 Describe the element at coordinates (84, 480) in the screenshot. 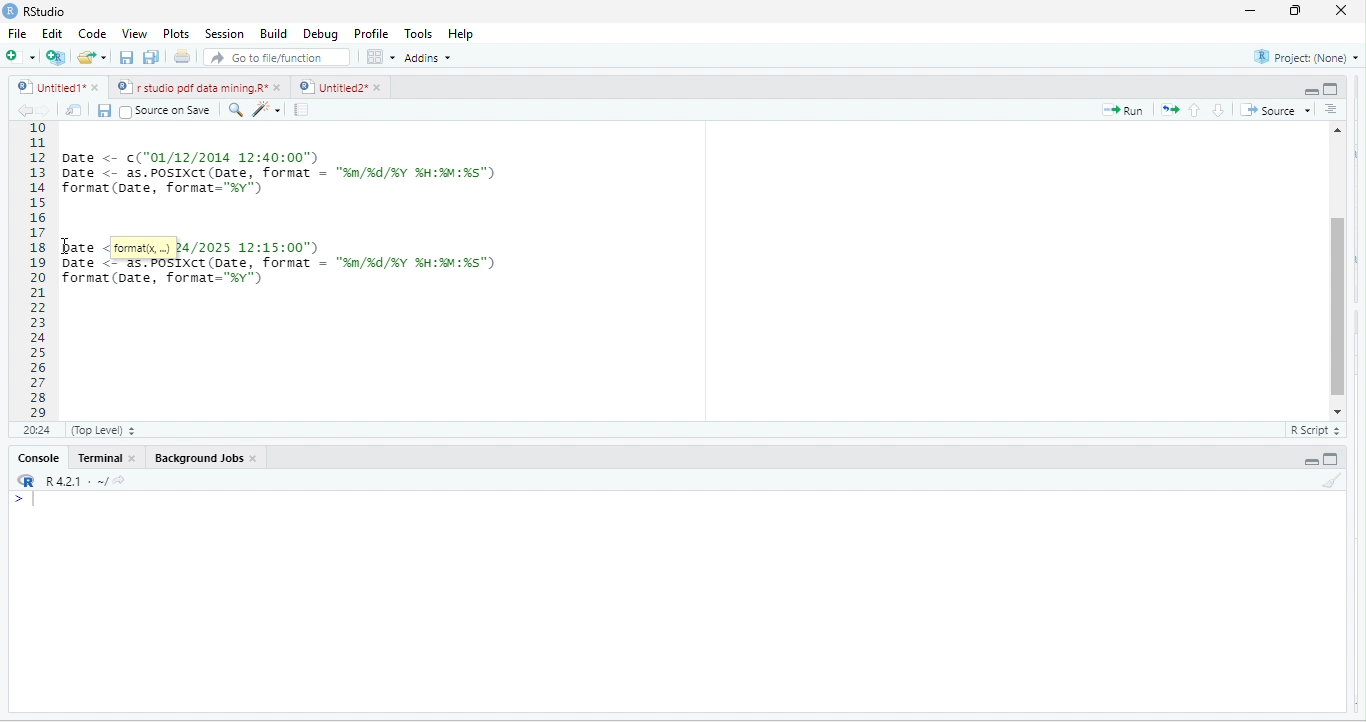

I see `R421: ~/` at that location.